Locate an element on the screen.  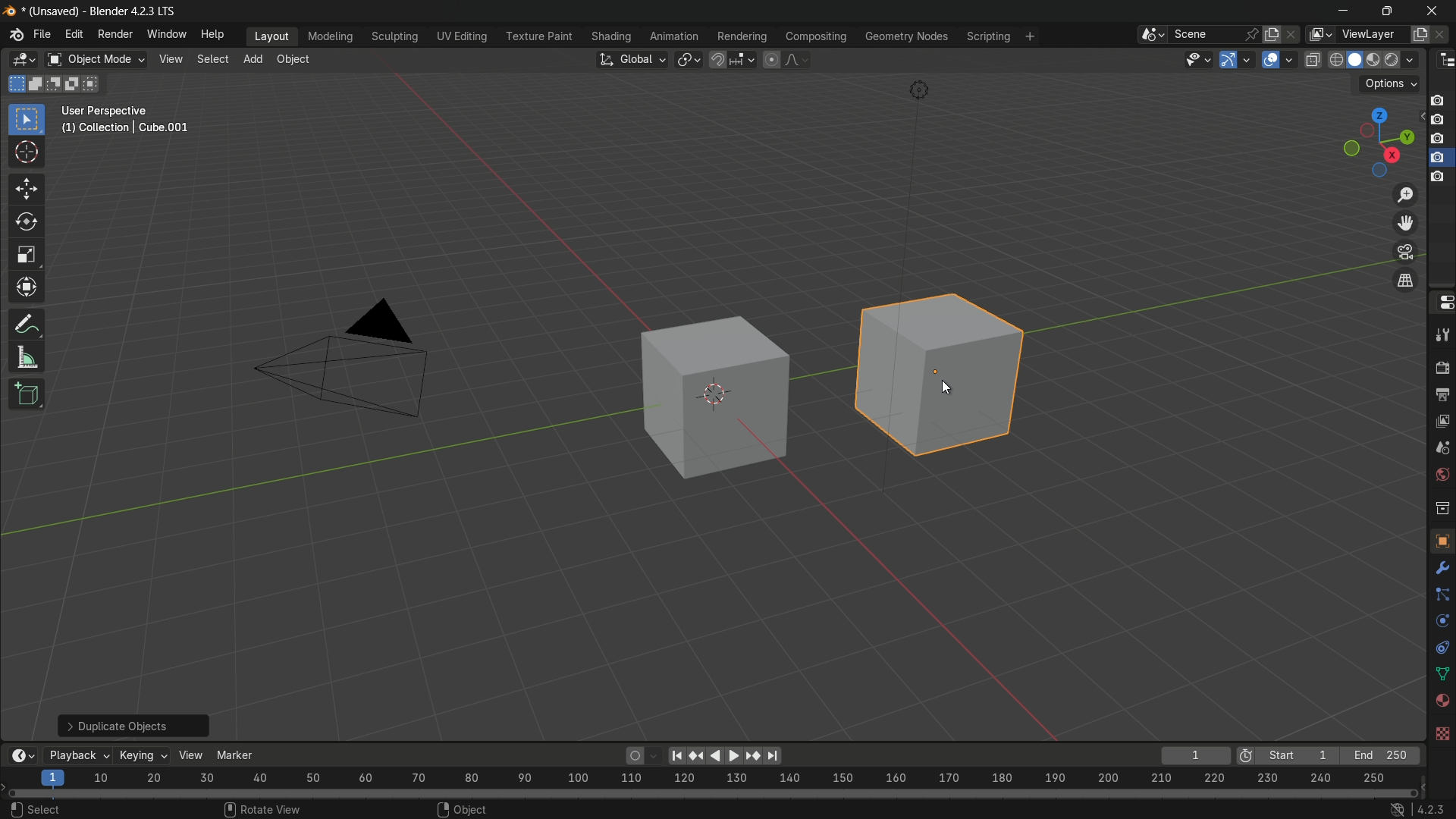
cursor is located at coordinates (27, 154).